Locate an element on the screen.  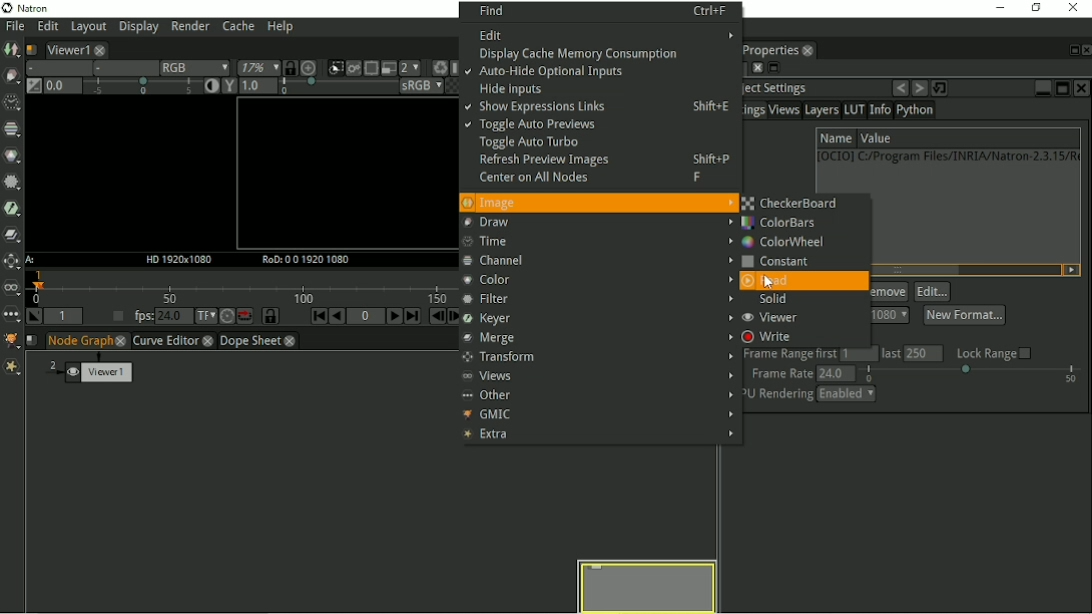
Float pane is located at coordinates (1070, 50).